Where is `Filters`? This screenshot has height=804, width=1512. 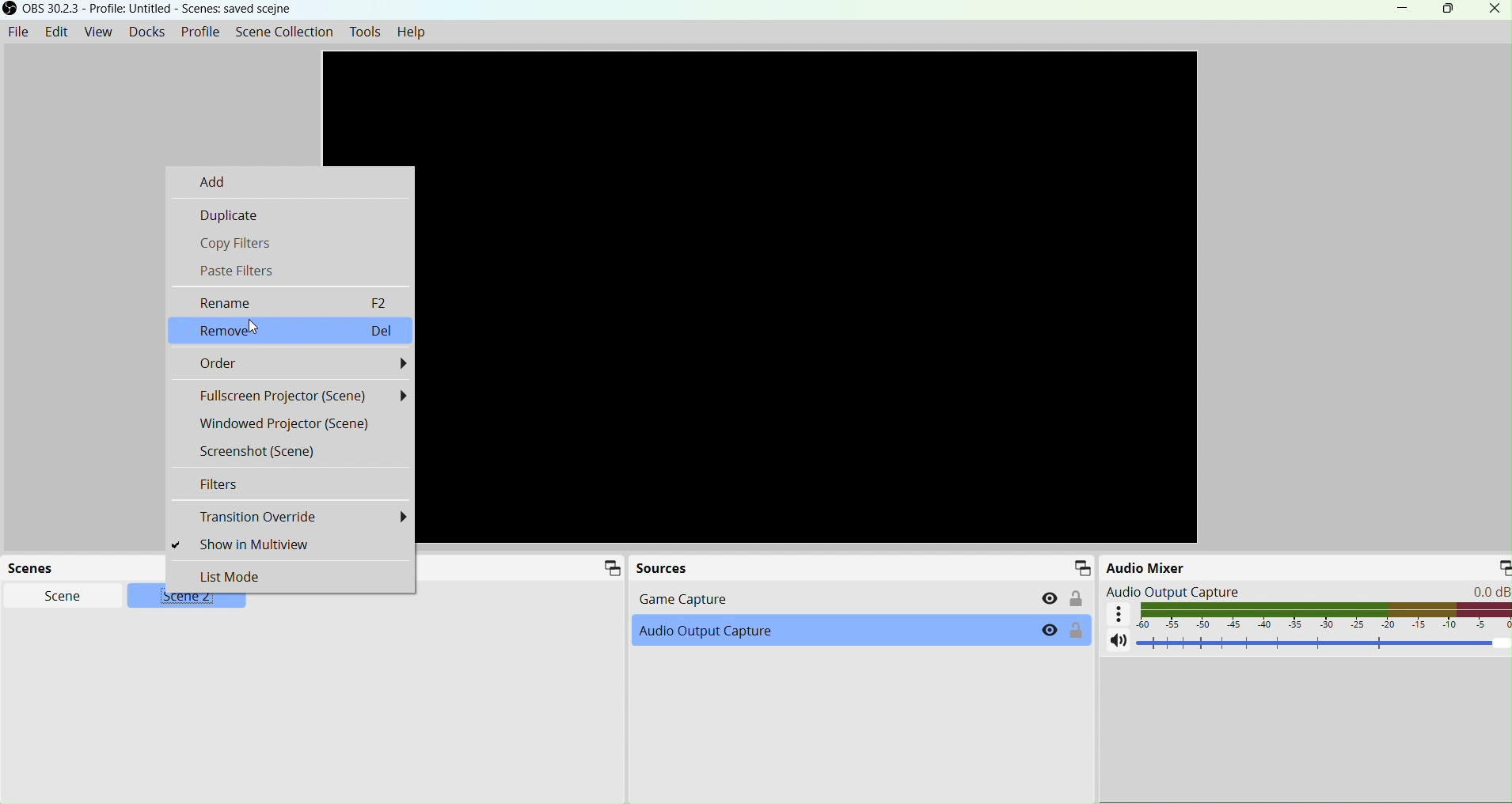 Filters is located at coordinates (290, 485).